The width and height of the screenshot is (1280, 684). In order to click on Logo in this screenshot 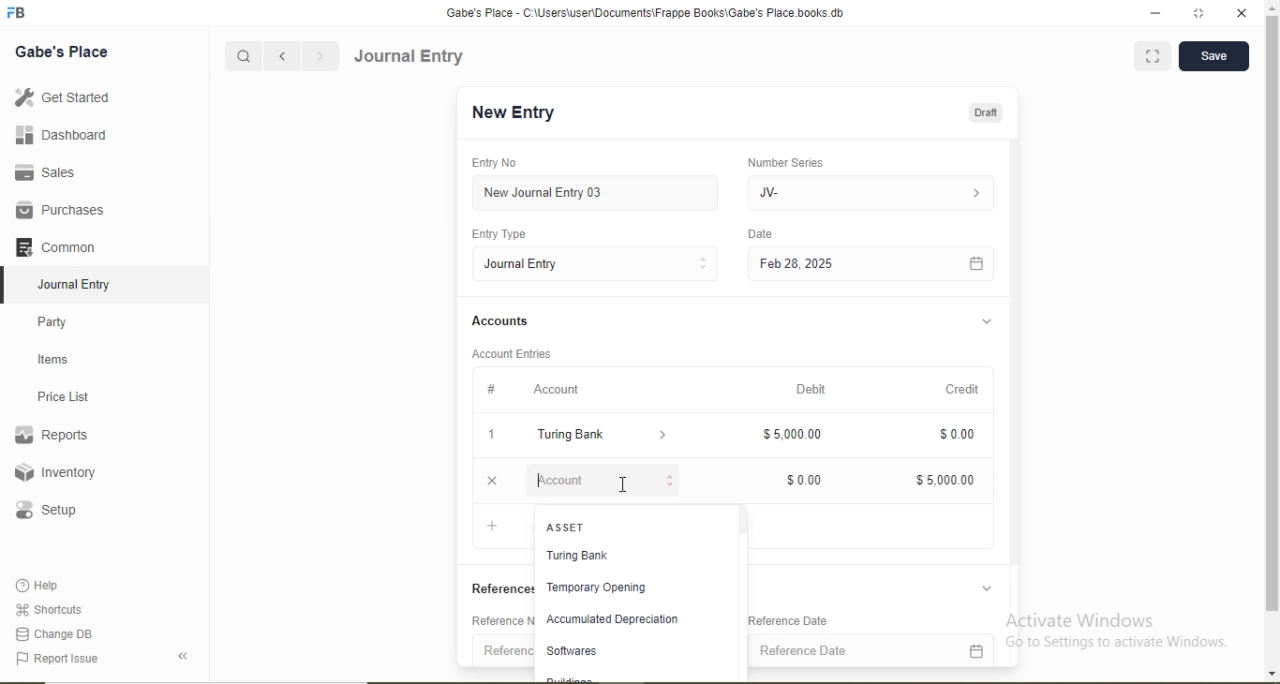, I will do `click(17, 13)`.